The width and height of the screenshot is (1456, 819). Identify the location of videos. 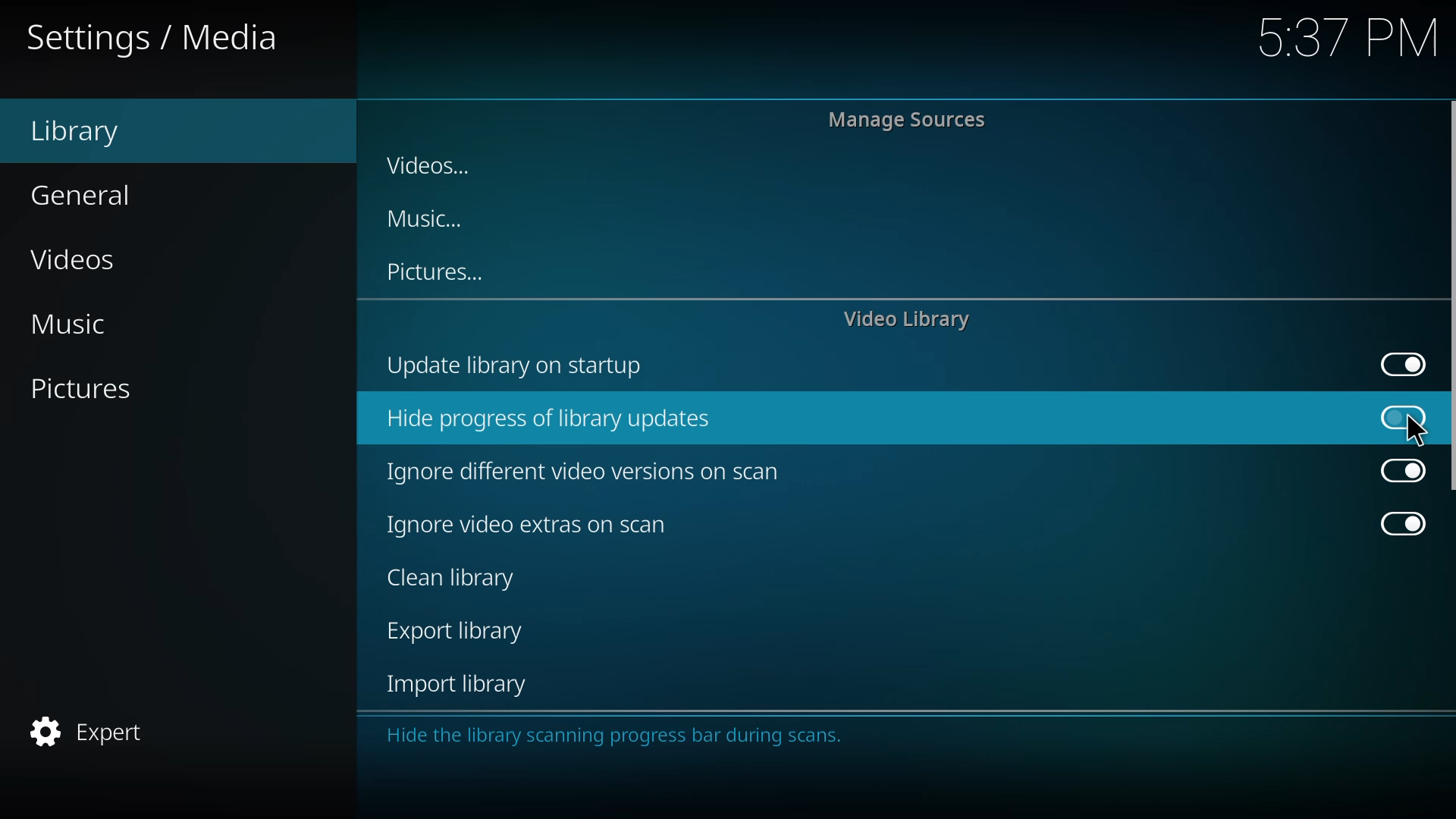
(434, 165).